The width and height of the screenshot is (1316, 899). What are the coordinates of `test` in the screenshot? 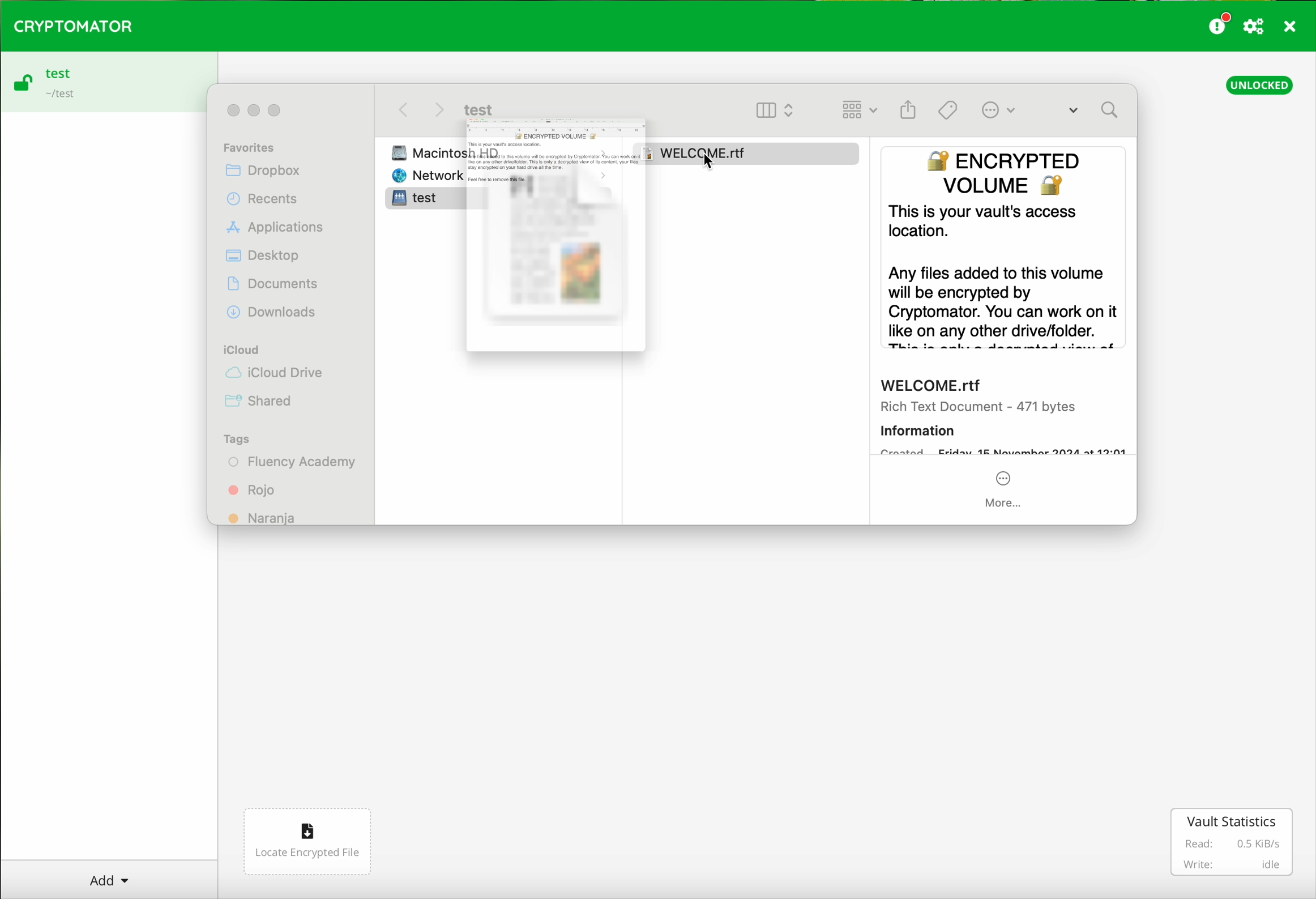 It's located at (502, 199).